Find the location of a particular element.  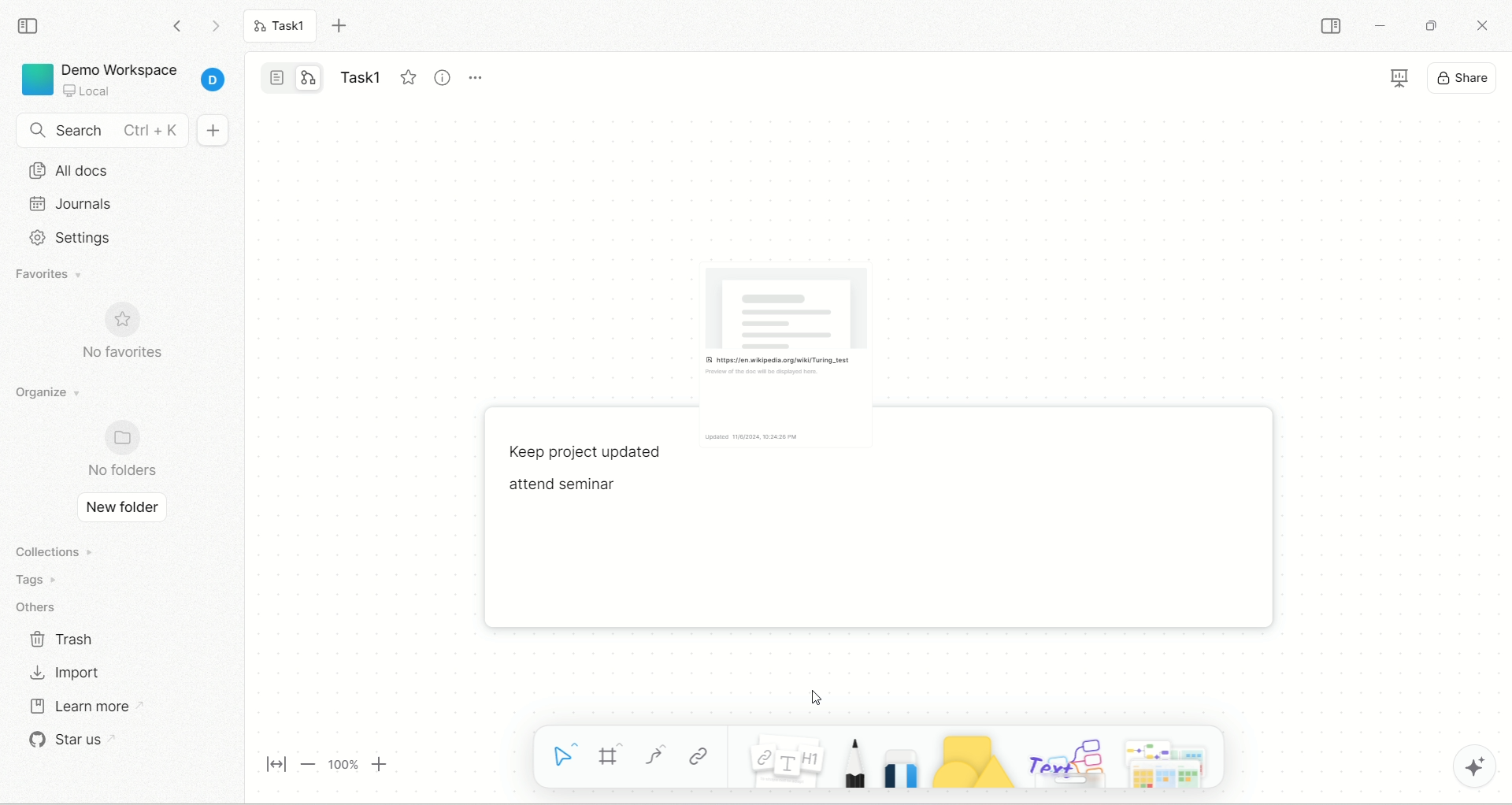

maximize is located at coordinates (1429, 24).